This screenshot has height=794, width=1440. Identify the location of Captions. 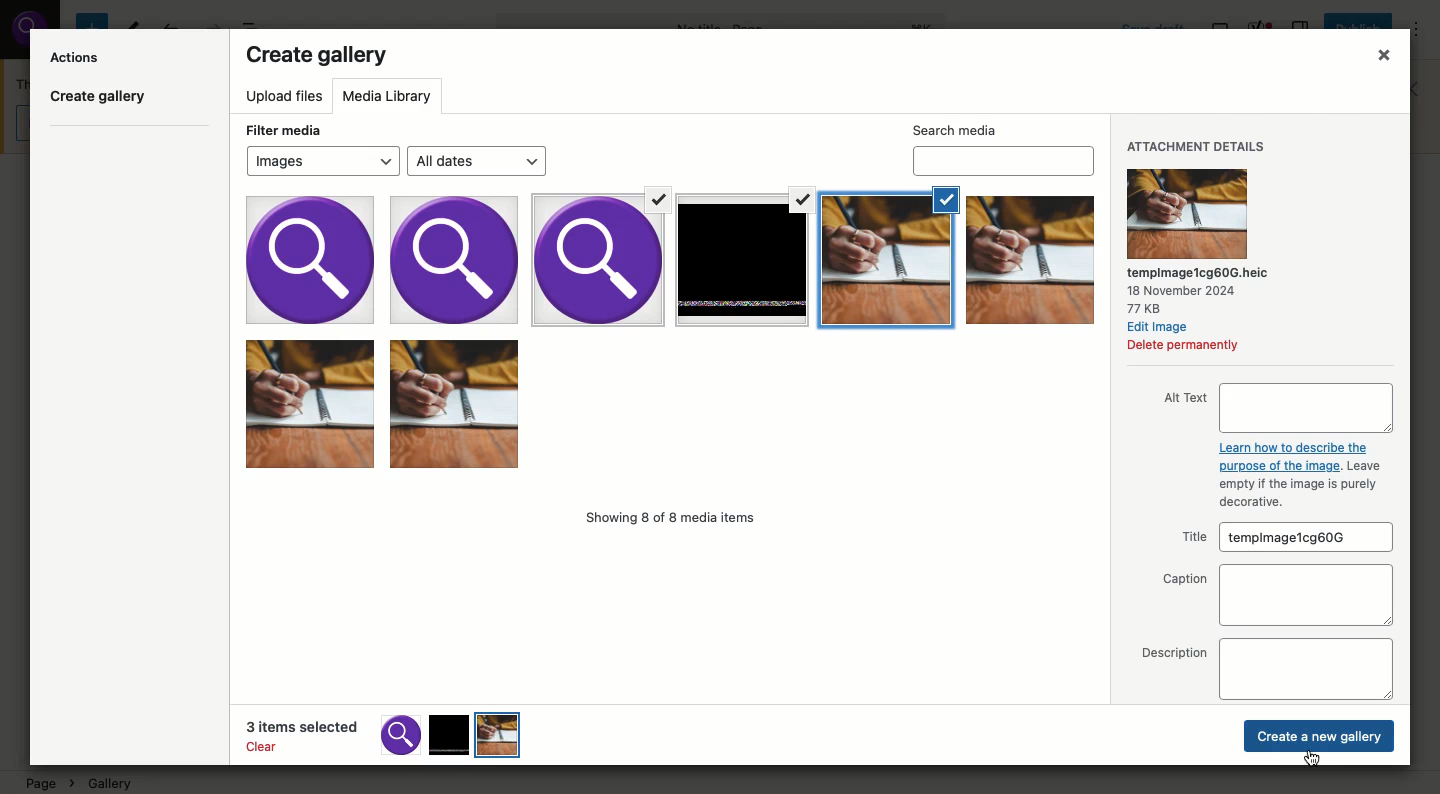
(1264, 602).